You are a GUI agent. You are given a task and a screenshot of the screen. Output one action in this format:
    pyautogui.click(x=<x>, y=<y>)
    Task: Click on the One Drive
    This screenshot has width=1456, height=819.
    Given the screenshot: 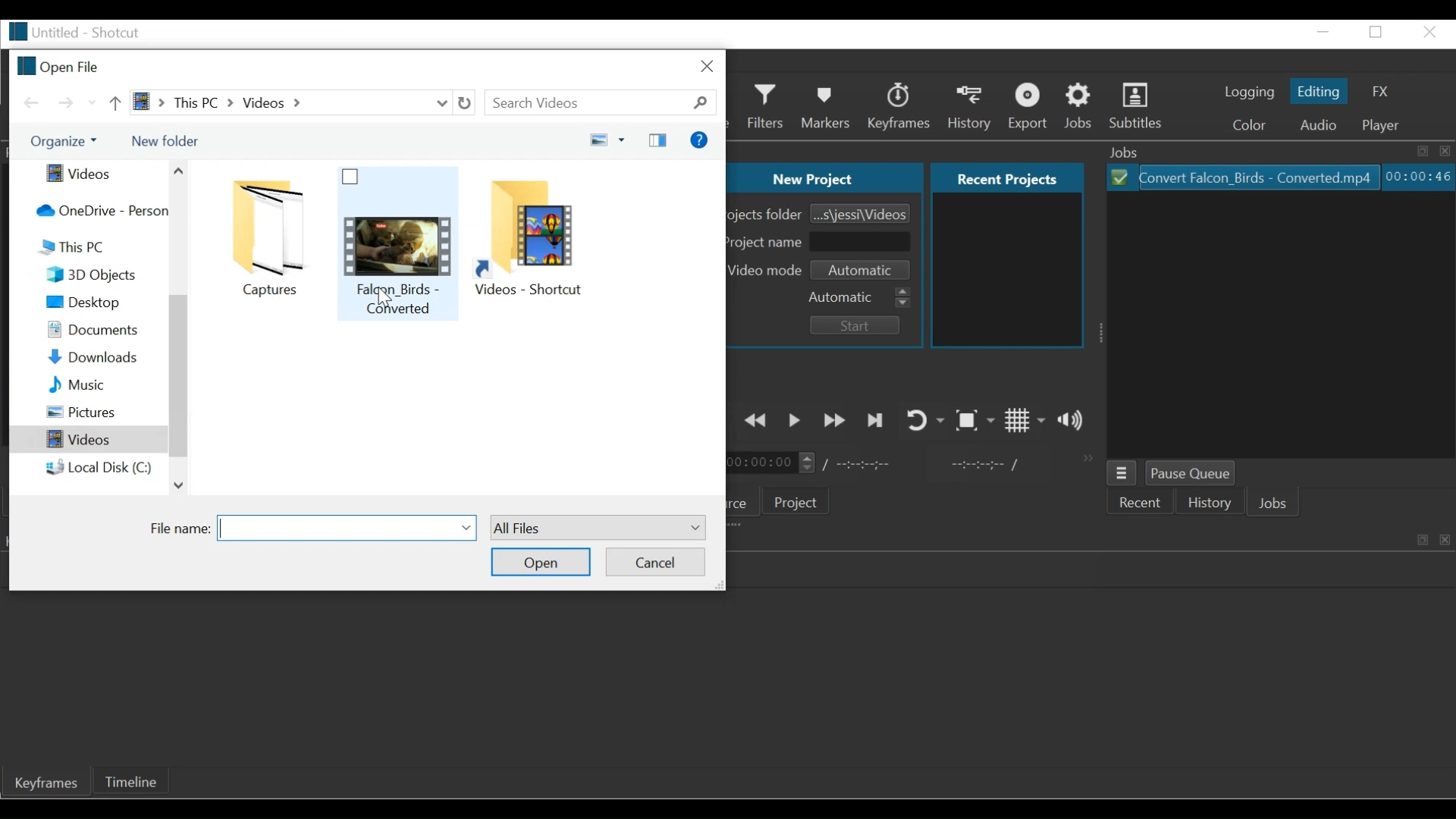 What is the action you would take?
    pyautogui.click(x=98, y=209)
    